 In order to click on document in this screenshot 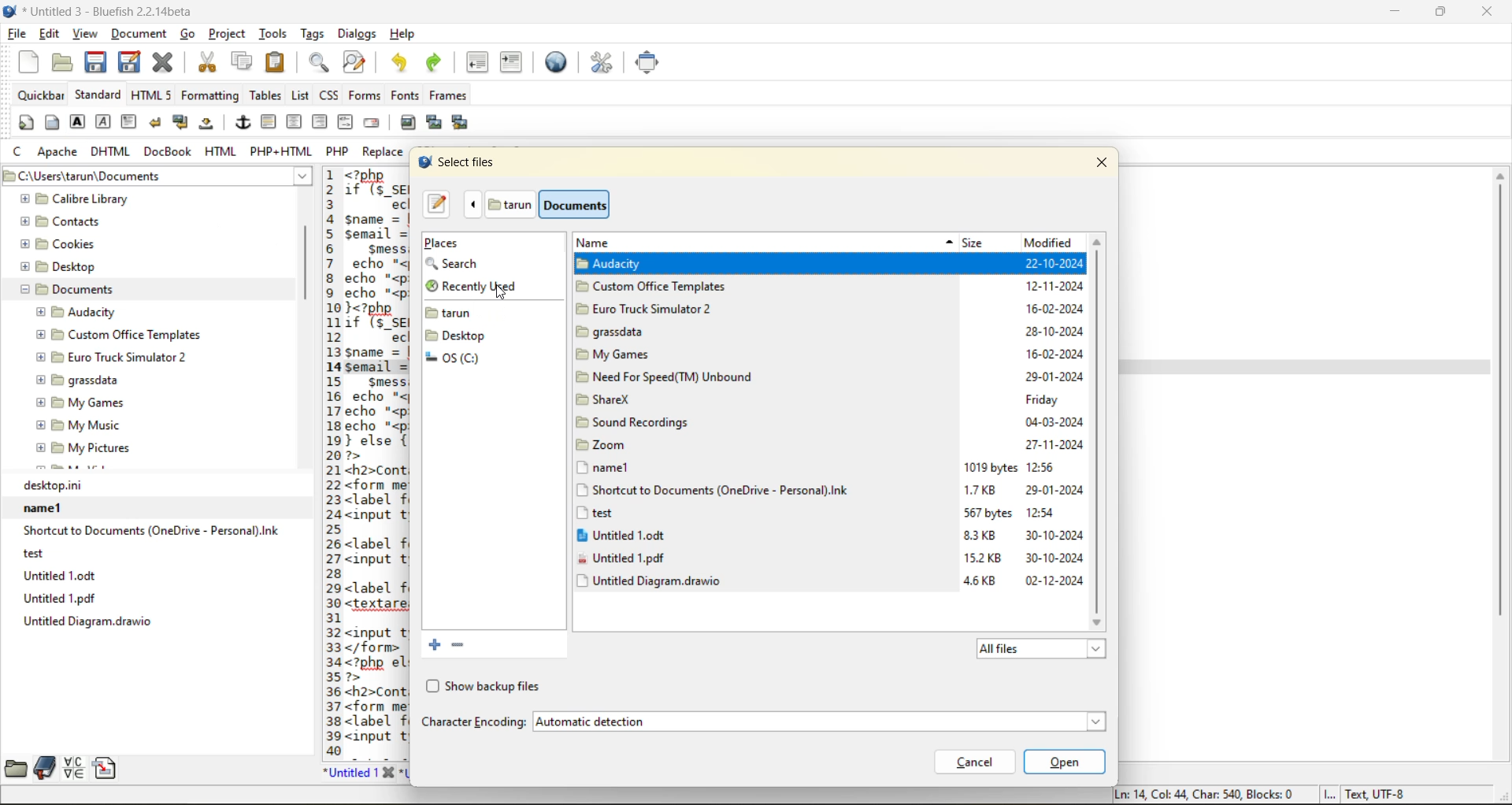, I will do `click(139, 38)`.